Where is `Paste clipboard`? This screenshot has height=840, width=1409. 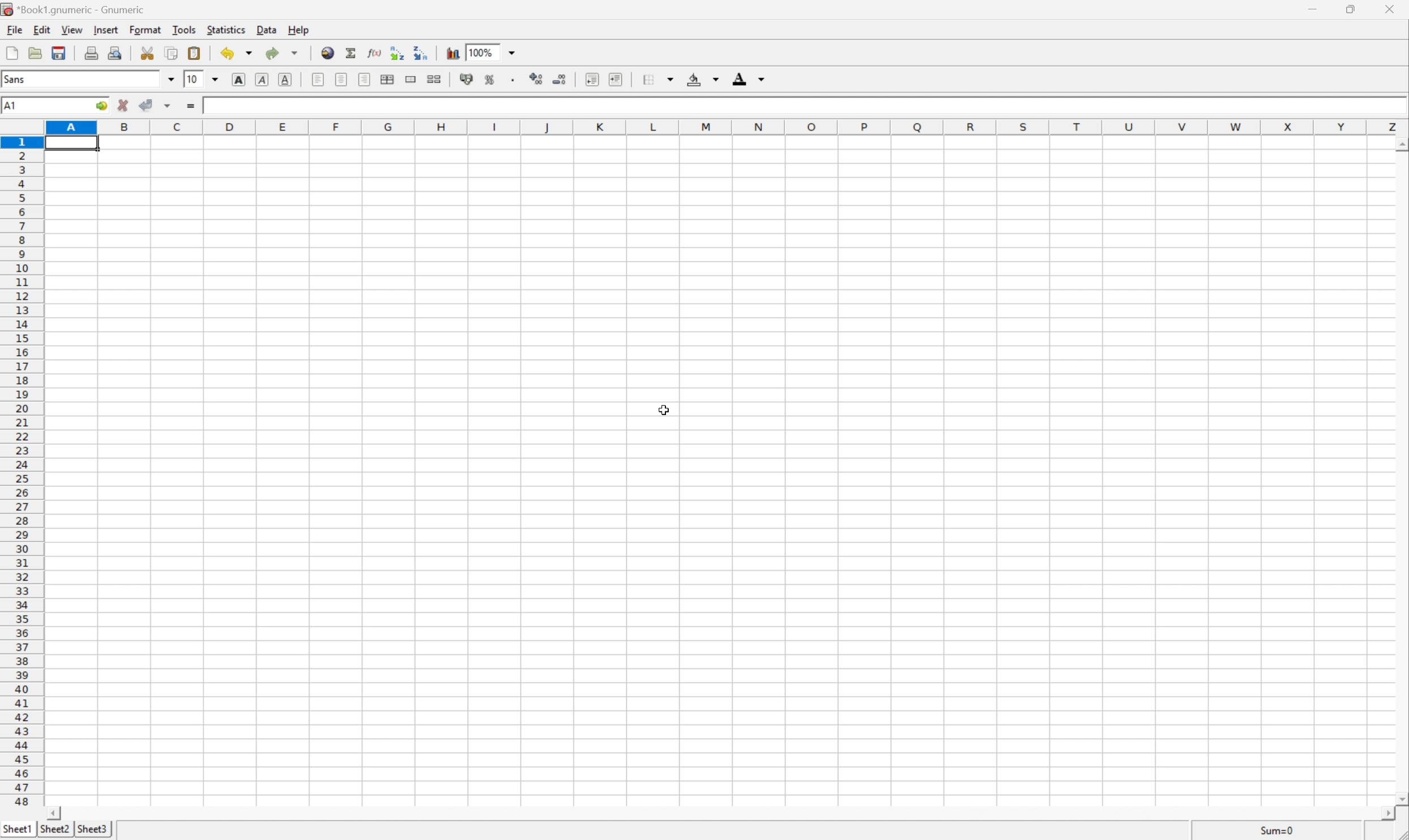
Paste clipboard is located at coordinates (195, 53).